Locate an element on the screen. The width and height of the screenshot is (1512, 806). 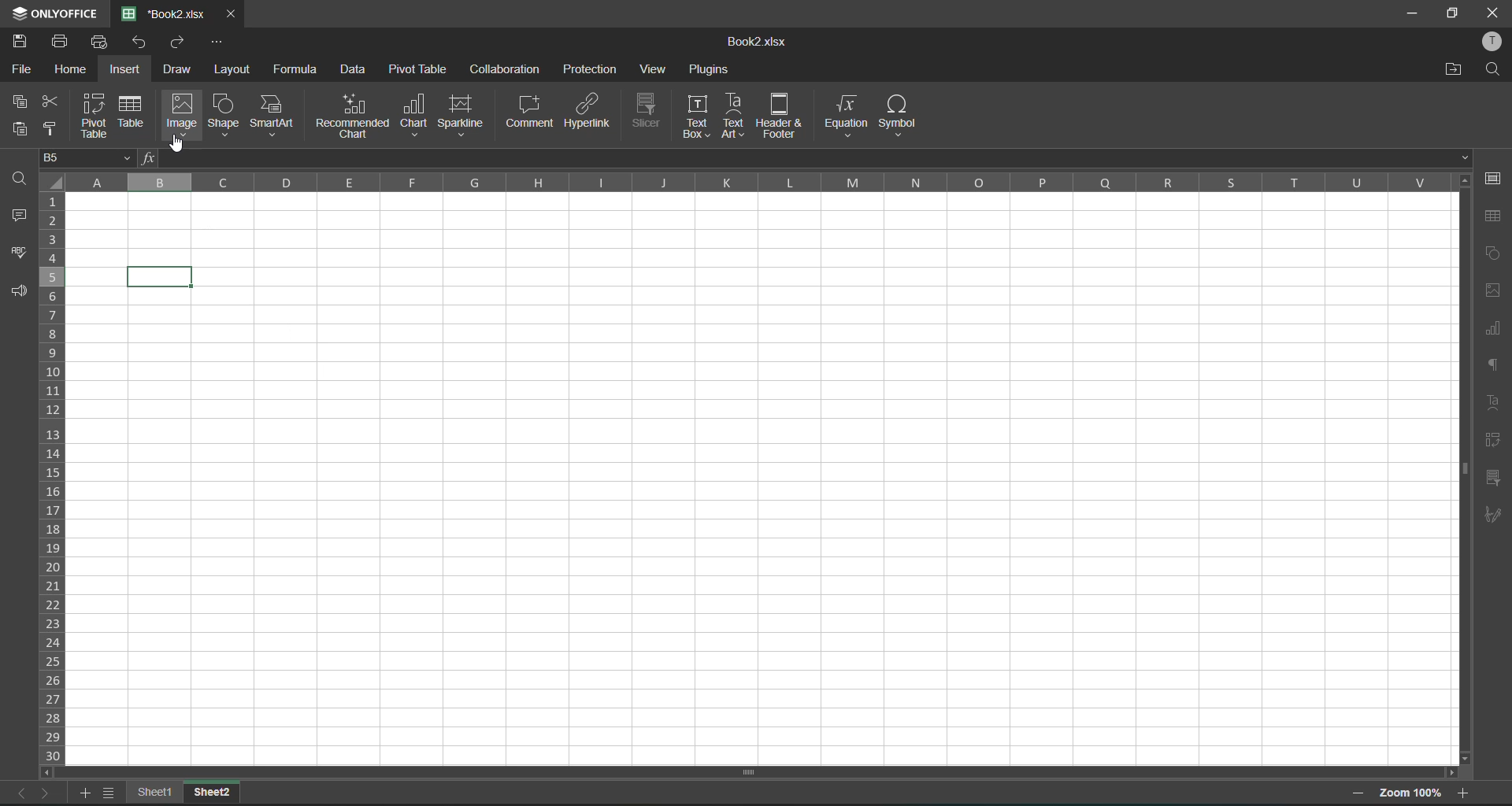
plugins is located at coordinates (710, 70).